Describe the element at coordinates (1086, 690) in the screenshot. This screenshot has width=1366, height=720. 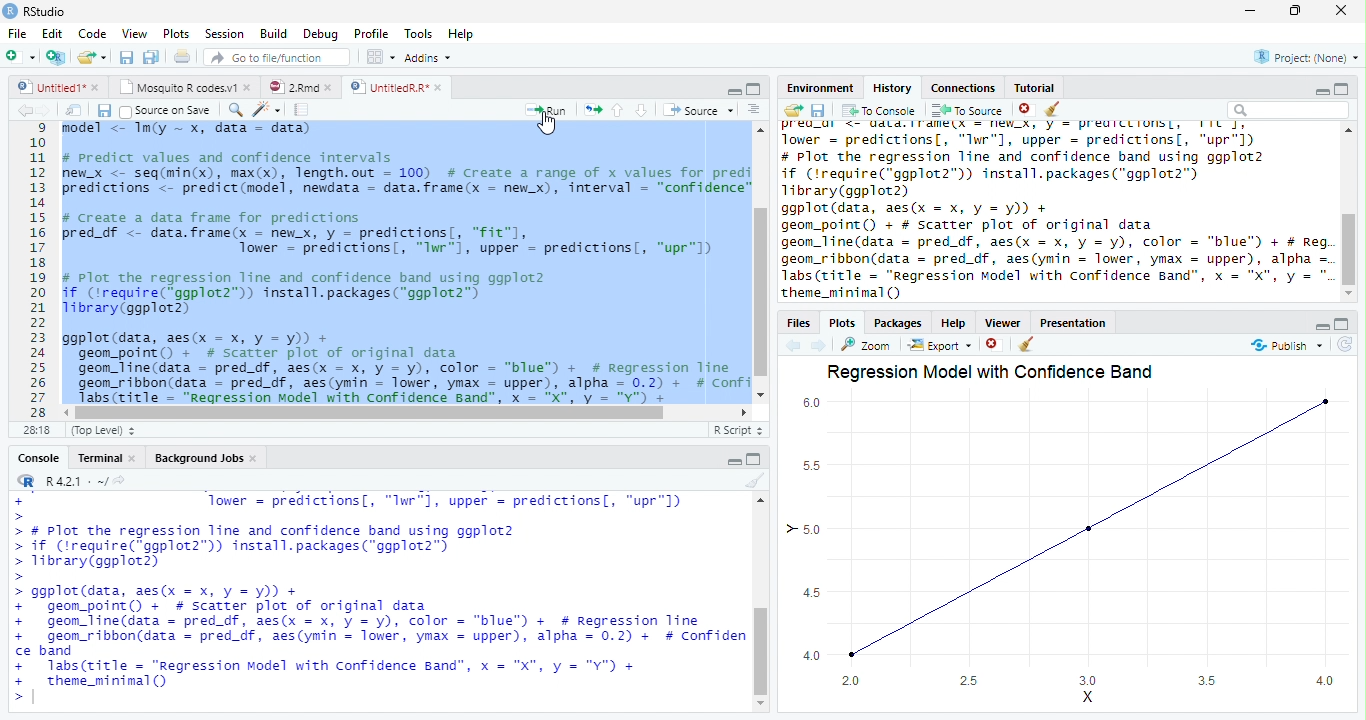
I see `X-axis | 20 25 3.0 35 40` at that location.